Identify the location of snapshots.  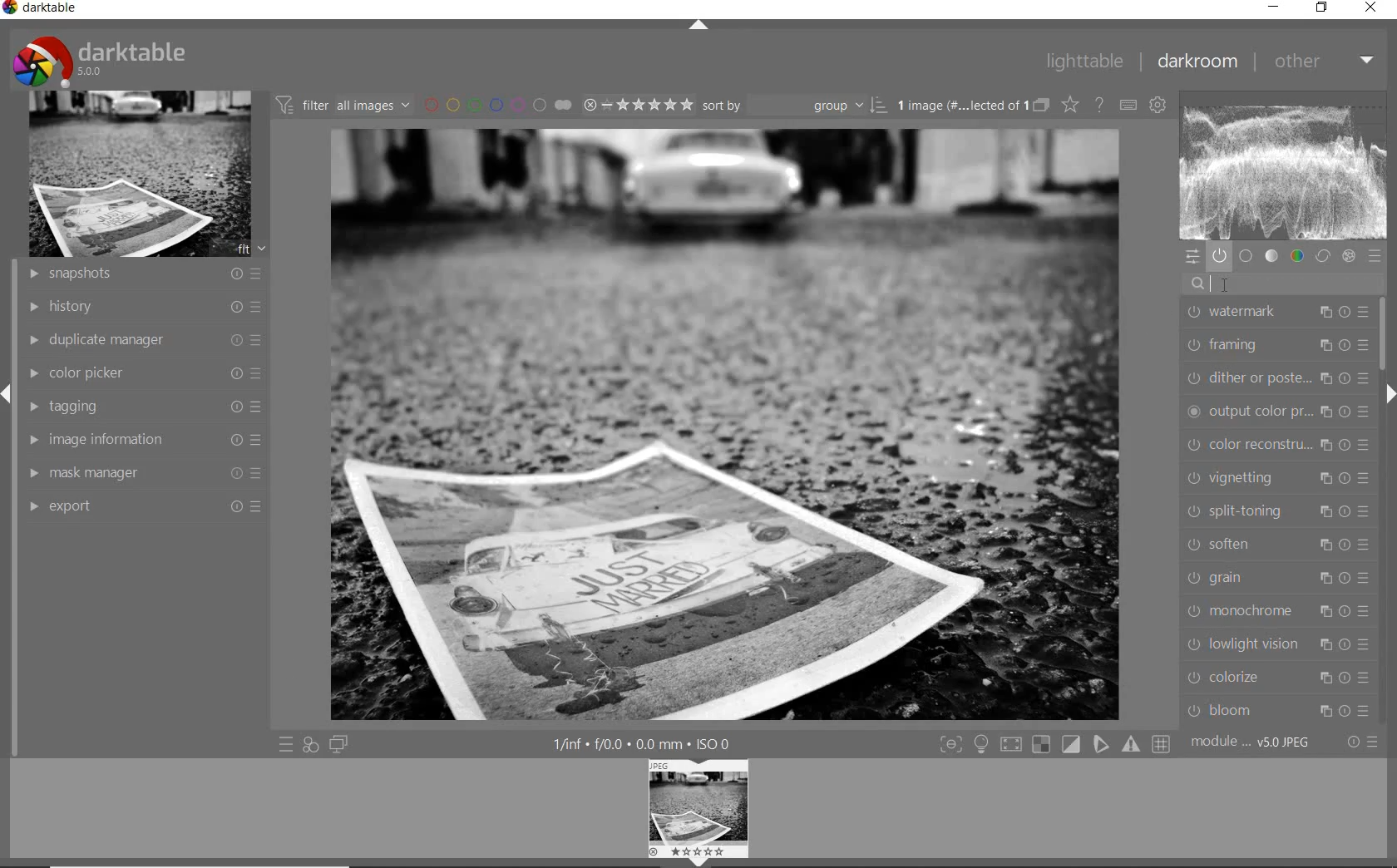
(142, 275).